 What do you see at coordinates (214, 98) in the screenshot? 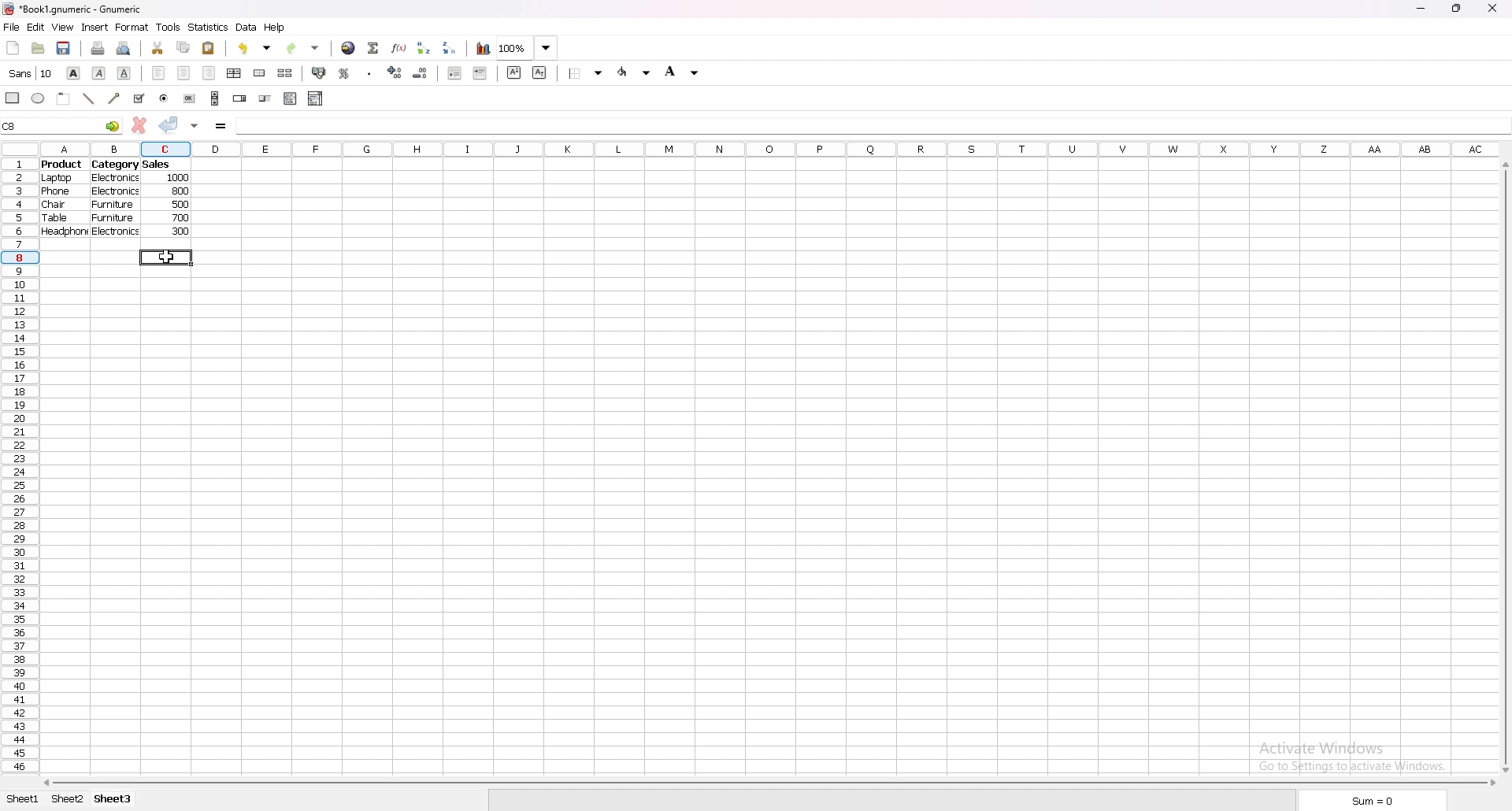
I see `scroll bar` at bounding box center [214, 98].